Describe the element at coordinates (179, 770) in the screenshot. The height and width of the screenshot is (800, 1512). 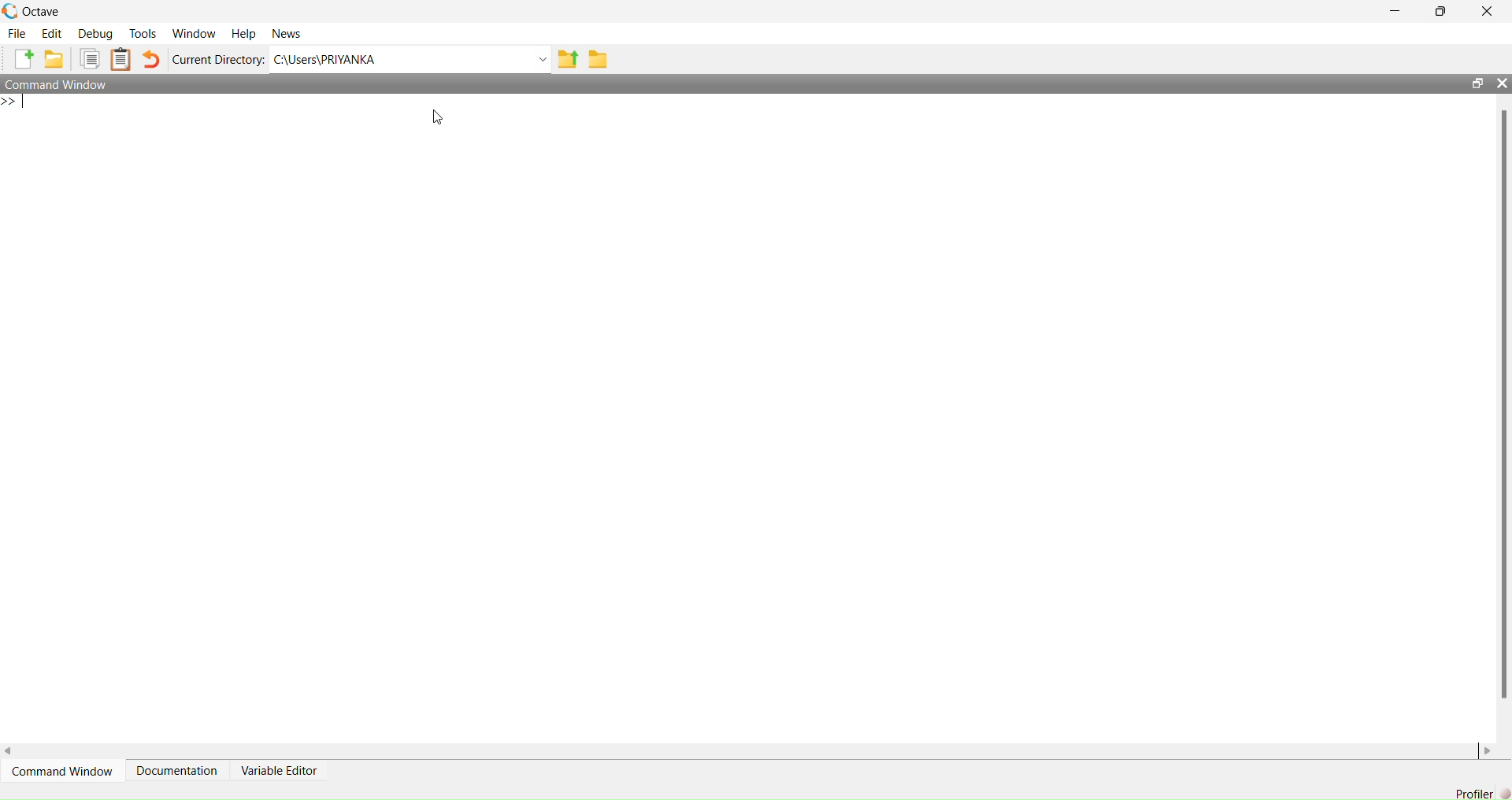
I see `documentation` at that location.